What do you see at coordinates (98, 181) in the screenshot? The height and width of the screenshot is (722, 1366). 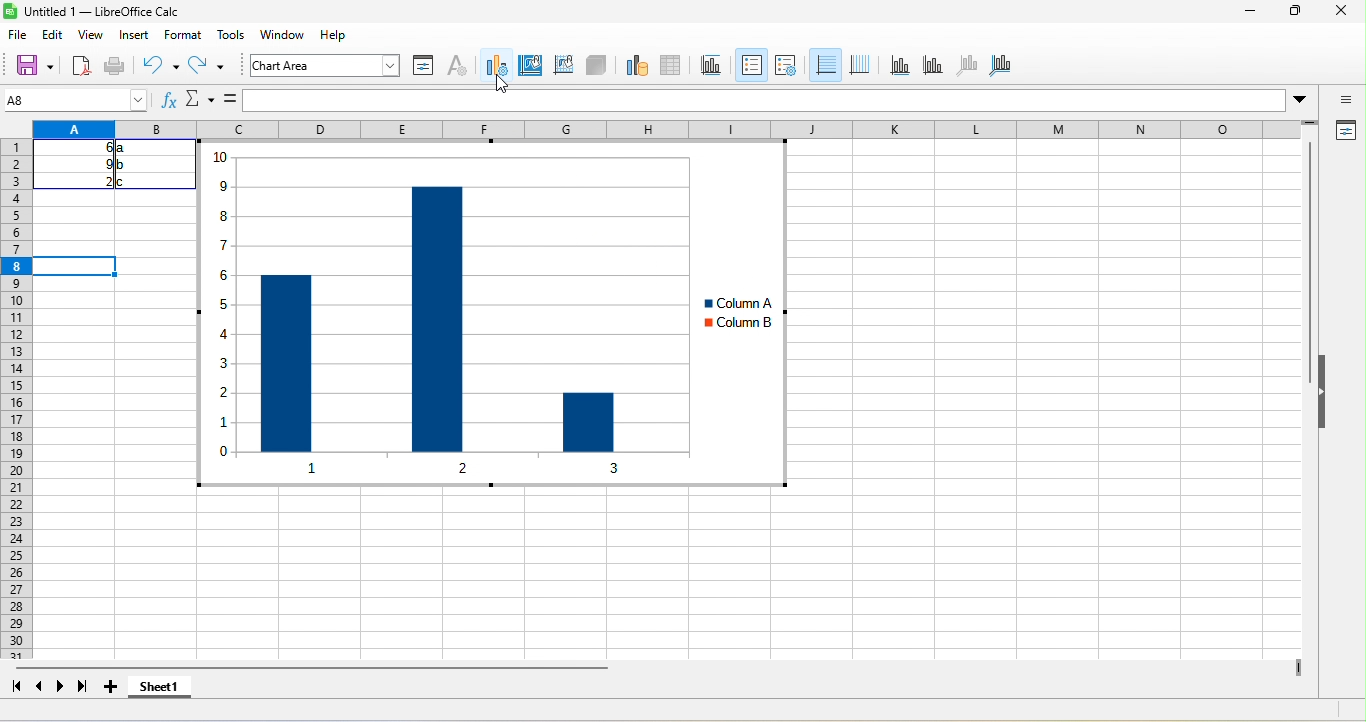 I see `2` at bounding box center [98, 181].